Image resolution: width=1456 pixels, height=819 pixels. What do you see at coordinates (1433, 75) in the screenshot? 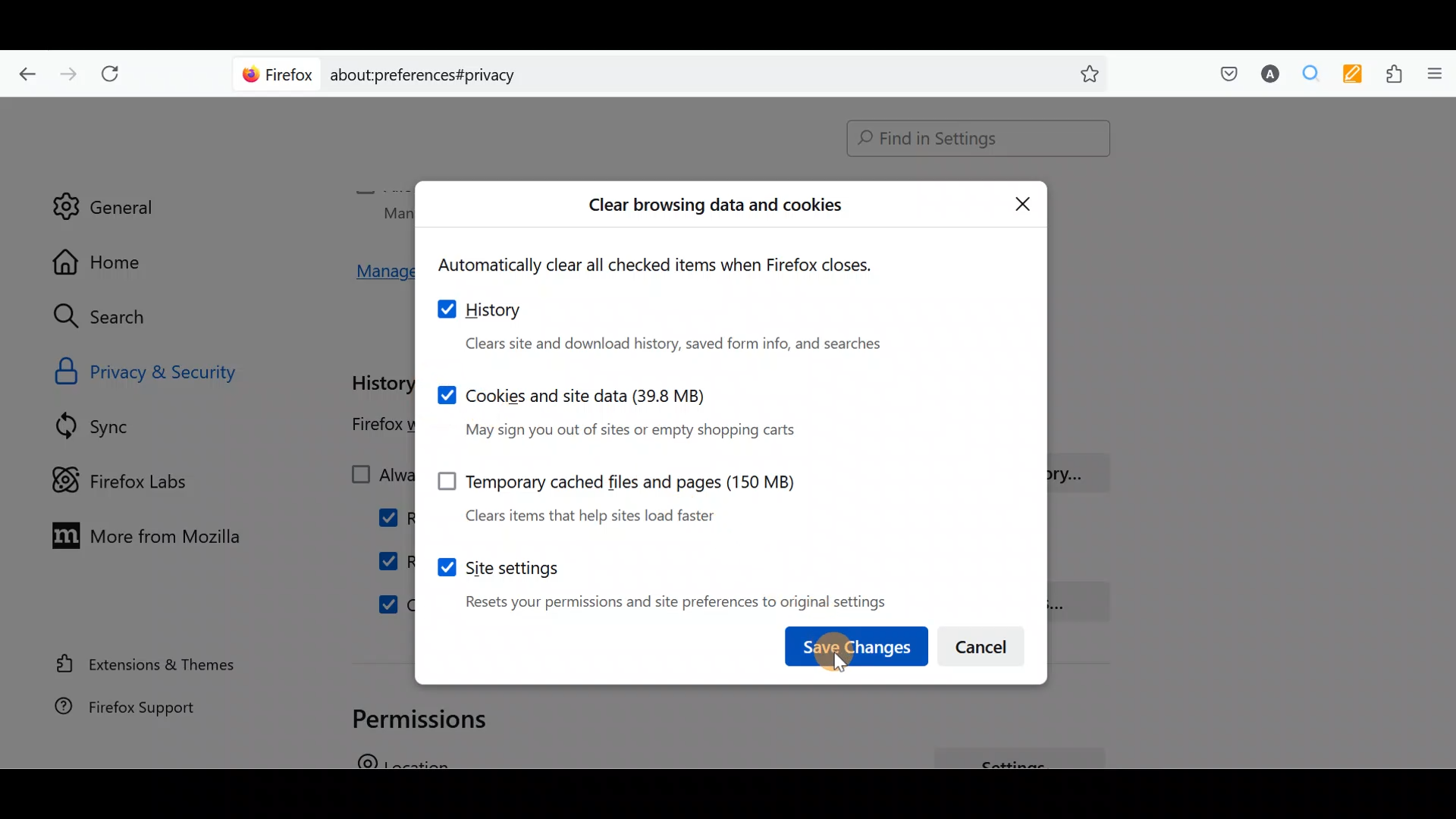
I see `Open application menu` at bounding box center [1433, 75].